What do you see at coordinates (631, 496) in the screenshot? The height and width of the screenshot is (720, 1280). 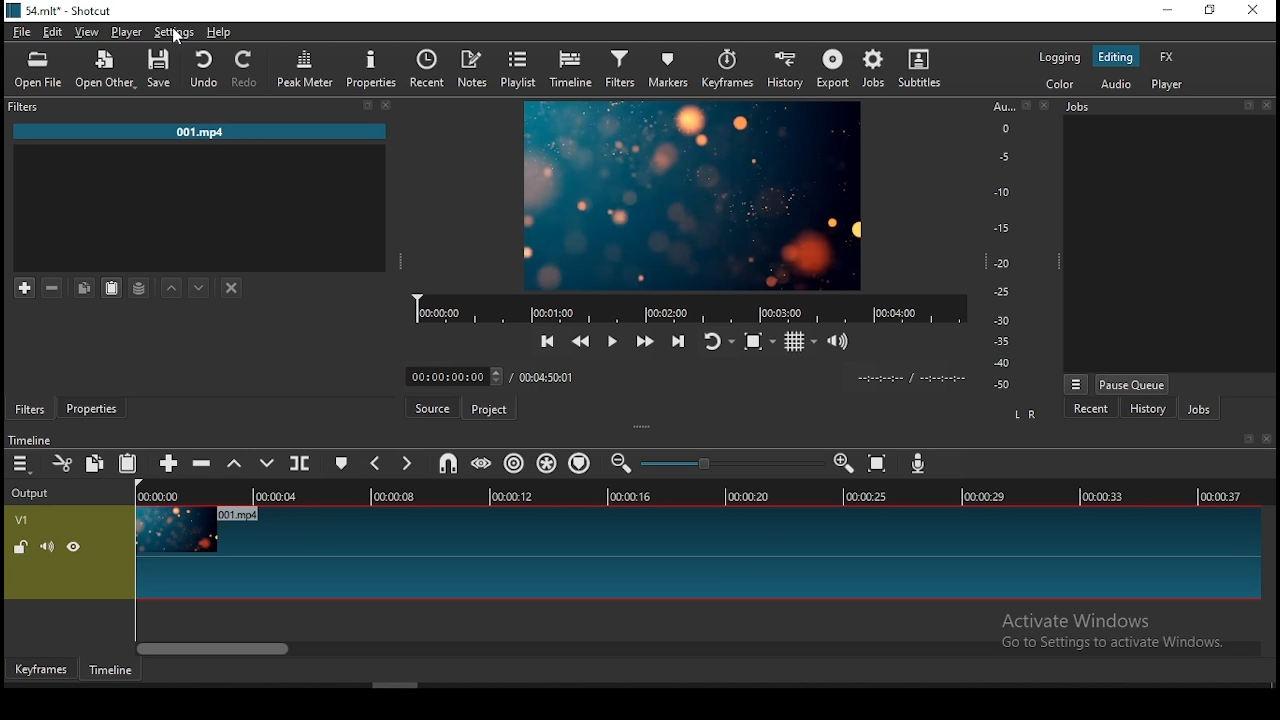 I see `00:00:16` at bounding box center [631, 496].